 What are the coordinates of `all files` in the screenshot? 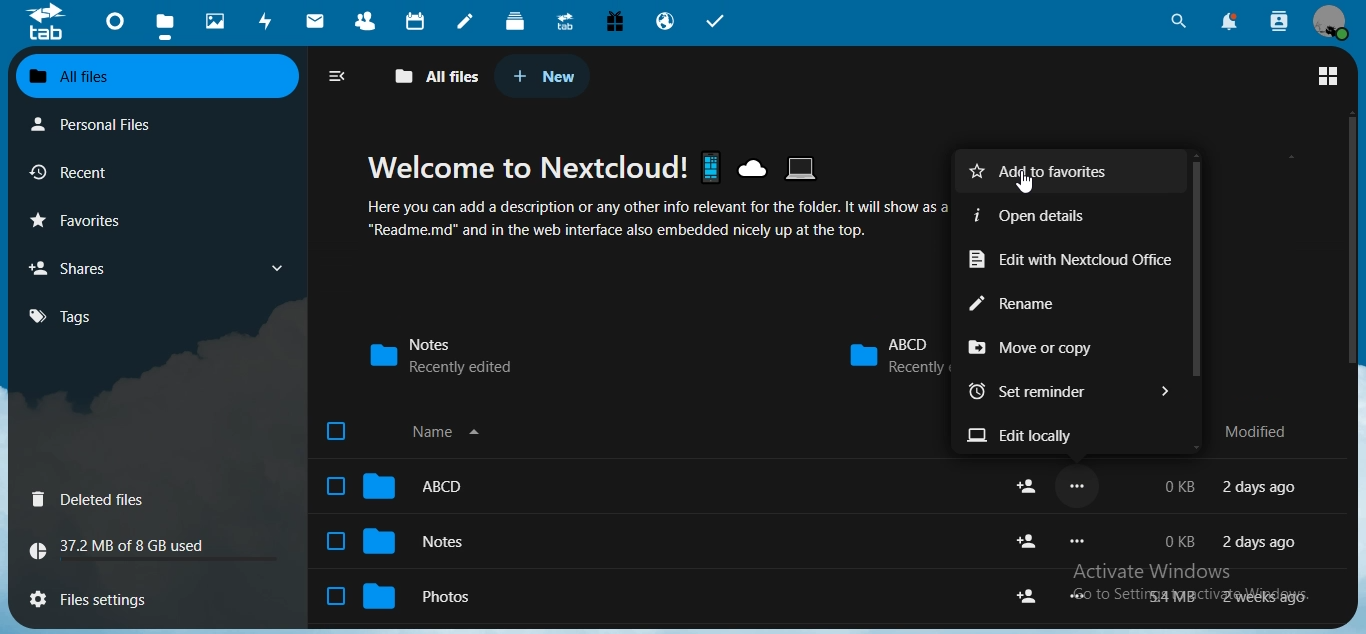 It's located at (441, 77).